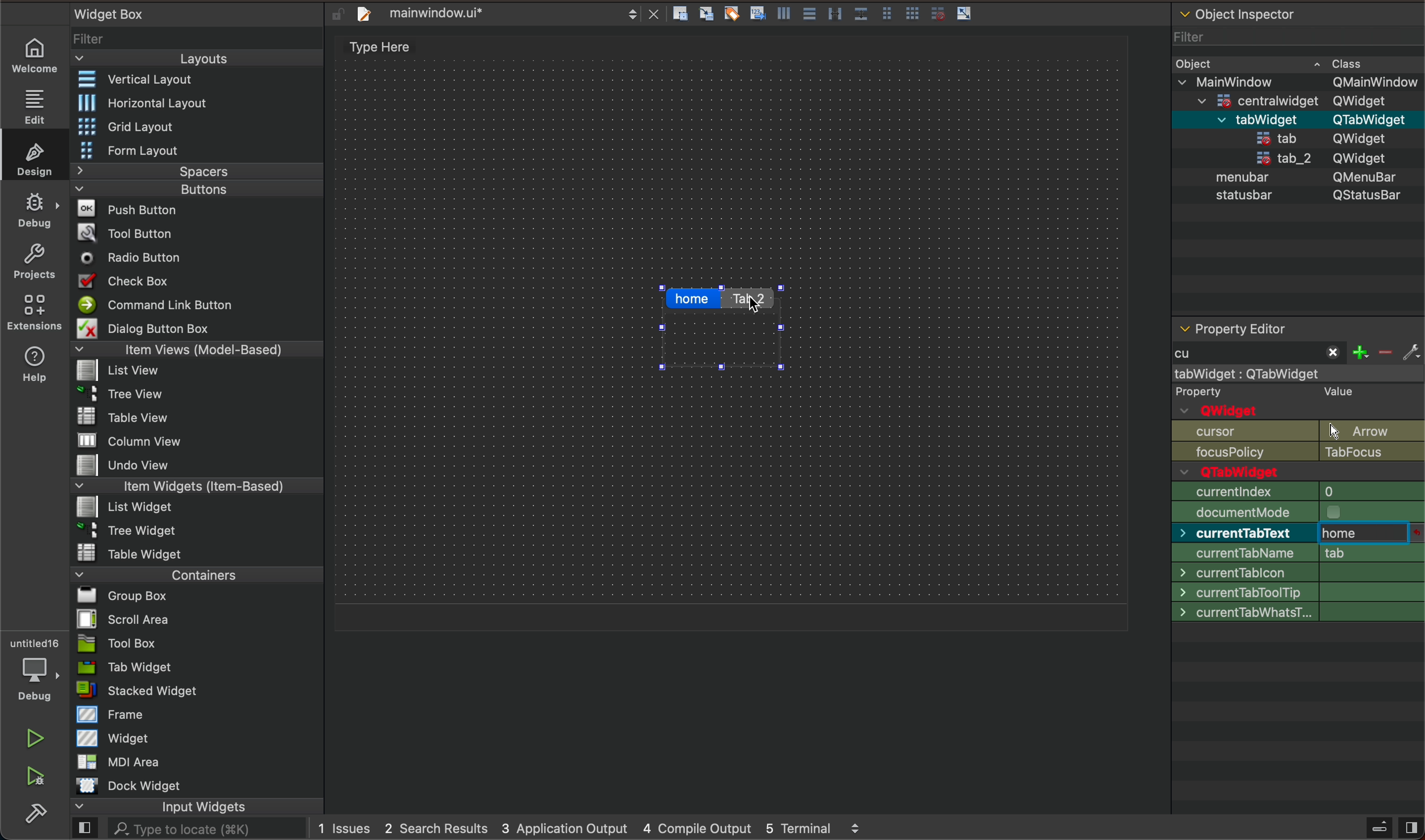 Image resolution: width=1425 pixels, height=840 pixels. I want to click on design, so click(34, 156).